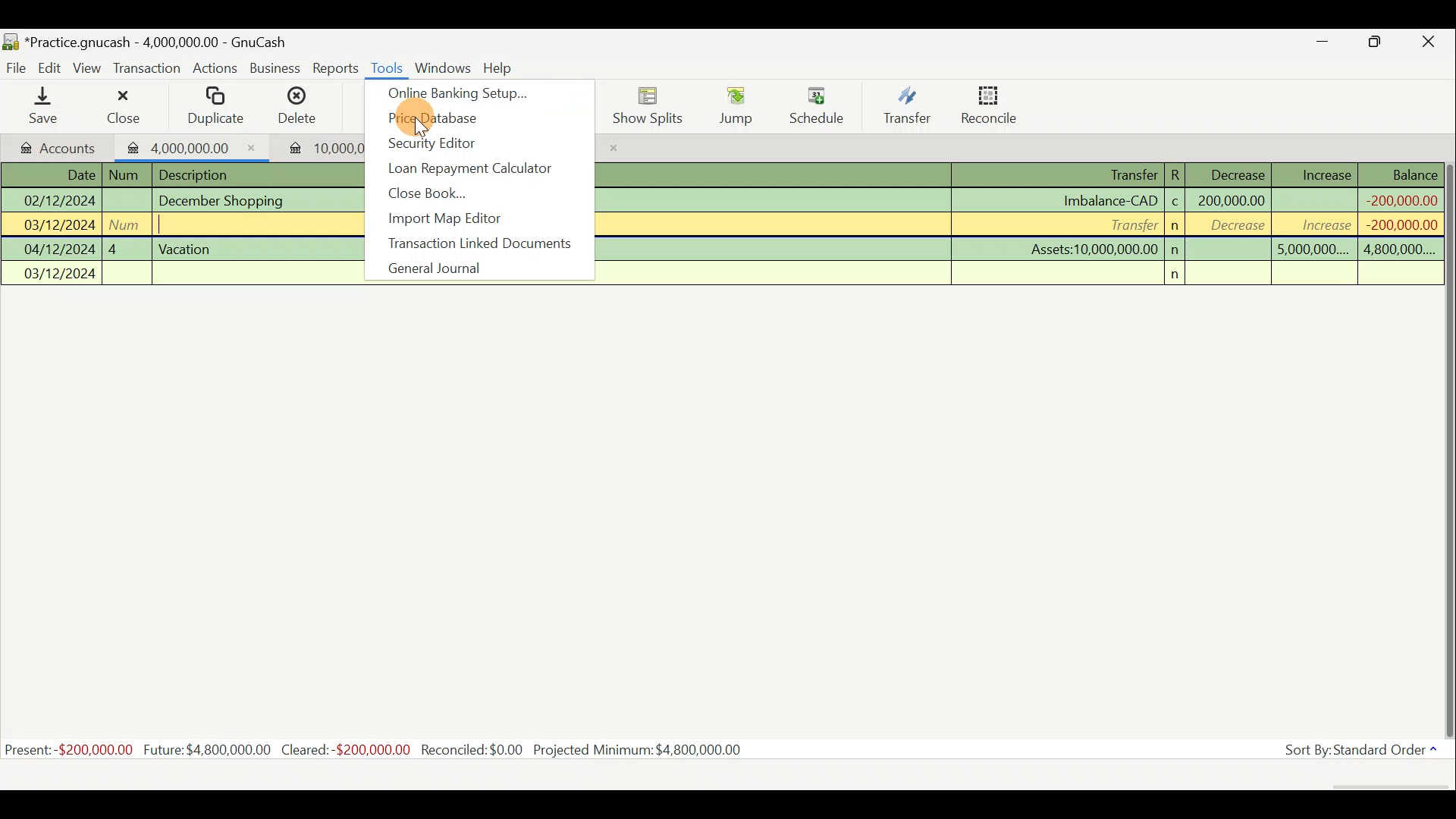  What do you see at coordinates (46, 107) in the screenshot?
I see `Save` at bounding box center [46, 107].